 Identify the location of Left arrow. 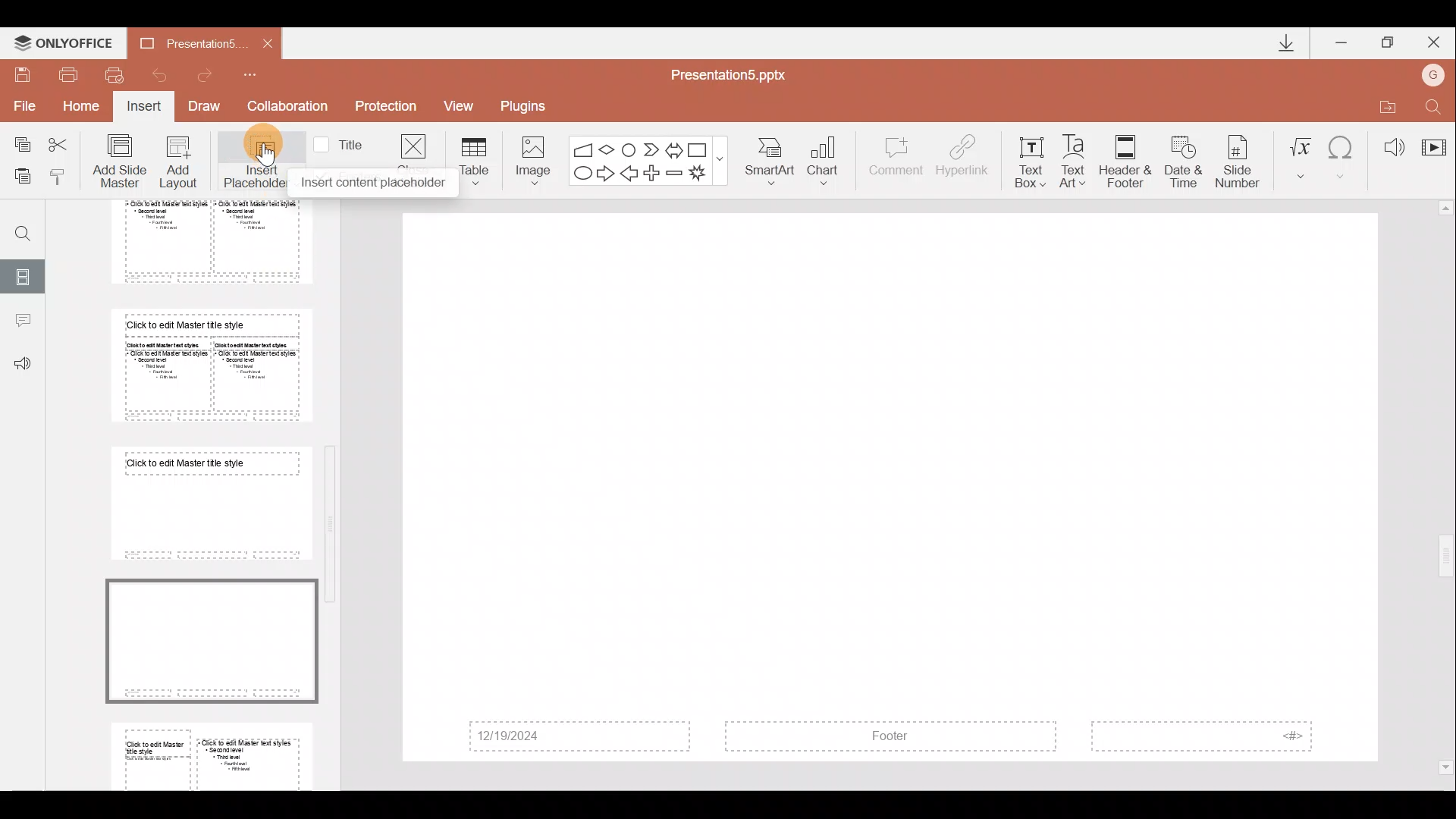
(630, 174).